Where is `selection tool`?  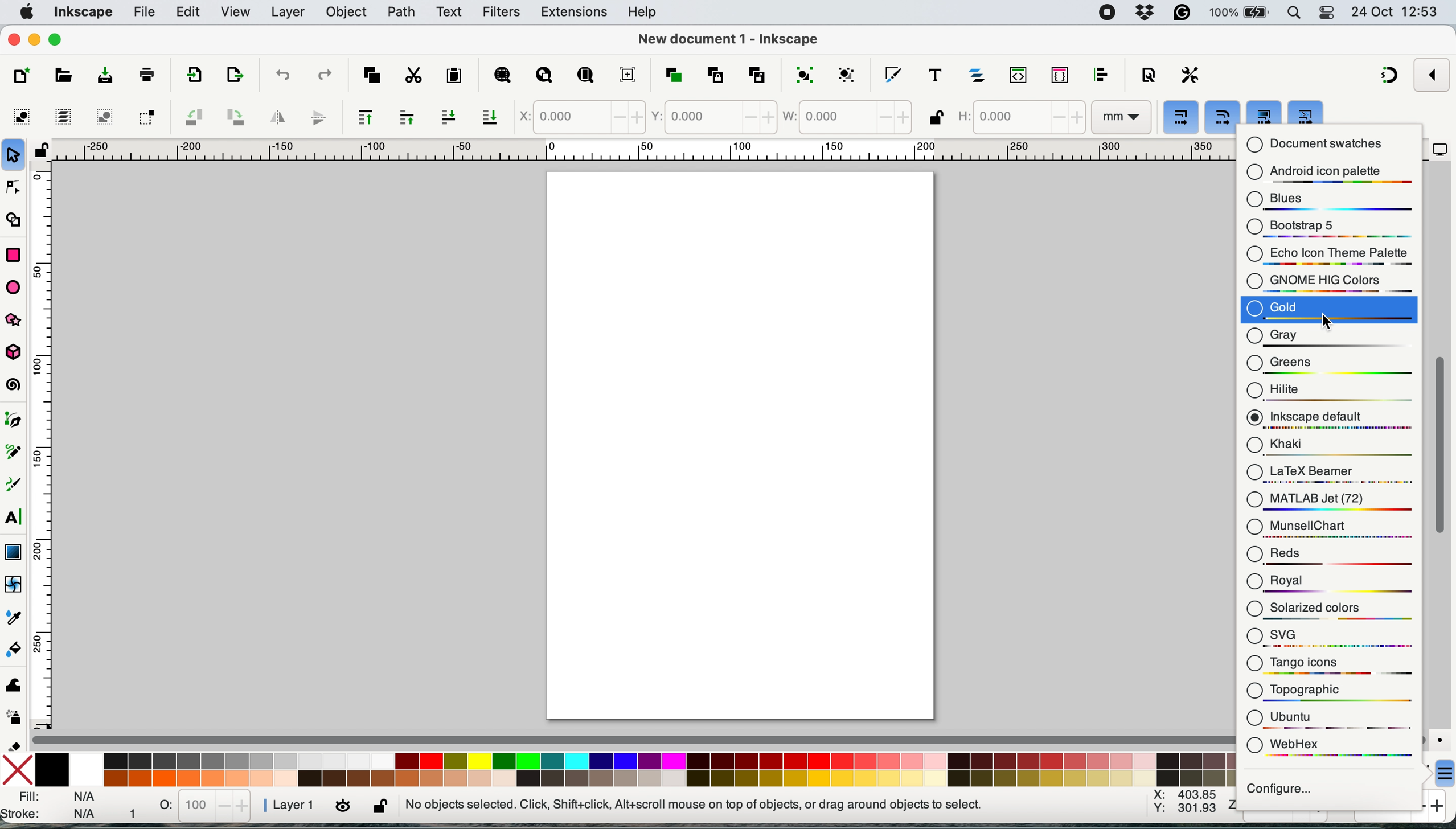 selection tool is located at coordinates (15, 154).